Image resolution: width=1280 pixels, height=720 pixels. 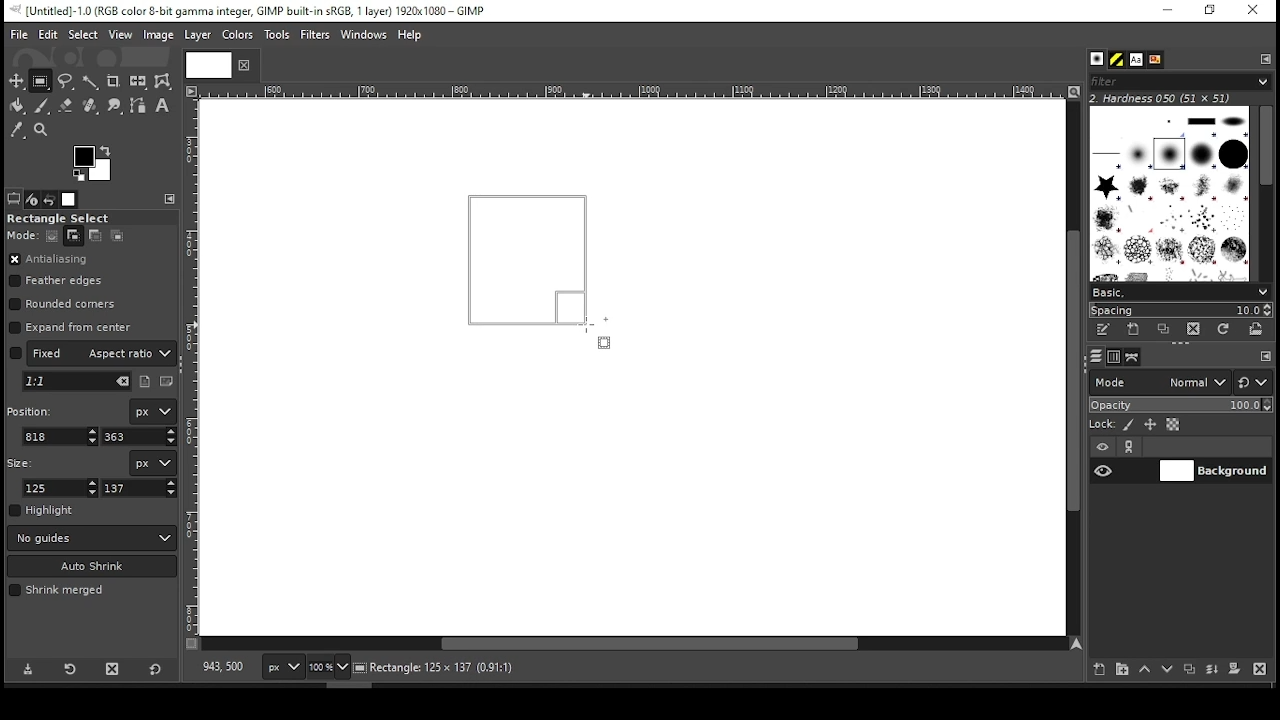 I want to click on , so click(x=205, y=64).